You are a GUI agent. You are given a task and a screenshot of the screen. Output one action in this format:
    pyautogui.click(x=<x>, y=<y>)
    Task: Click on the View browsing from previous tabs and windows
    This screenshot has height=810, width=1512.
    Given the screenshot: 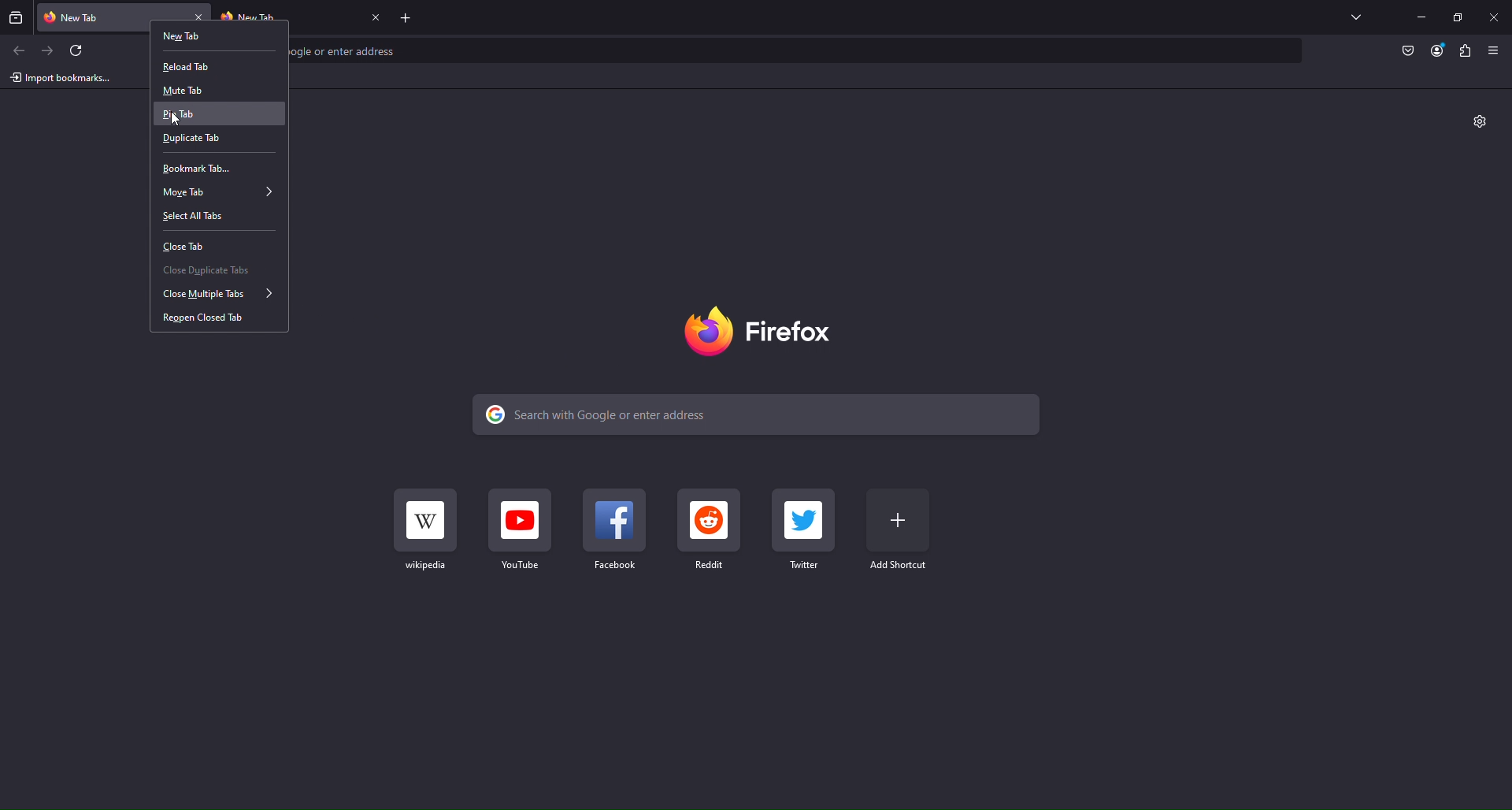 What is the action you would take?
    pyautogui.click(x=15, y=17)
    